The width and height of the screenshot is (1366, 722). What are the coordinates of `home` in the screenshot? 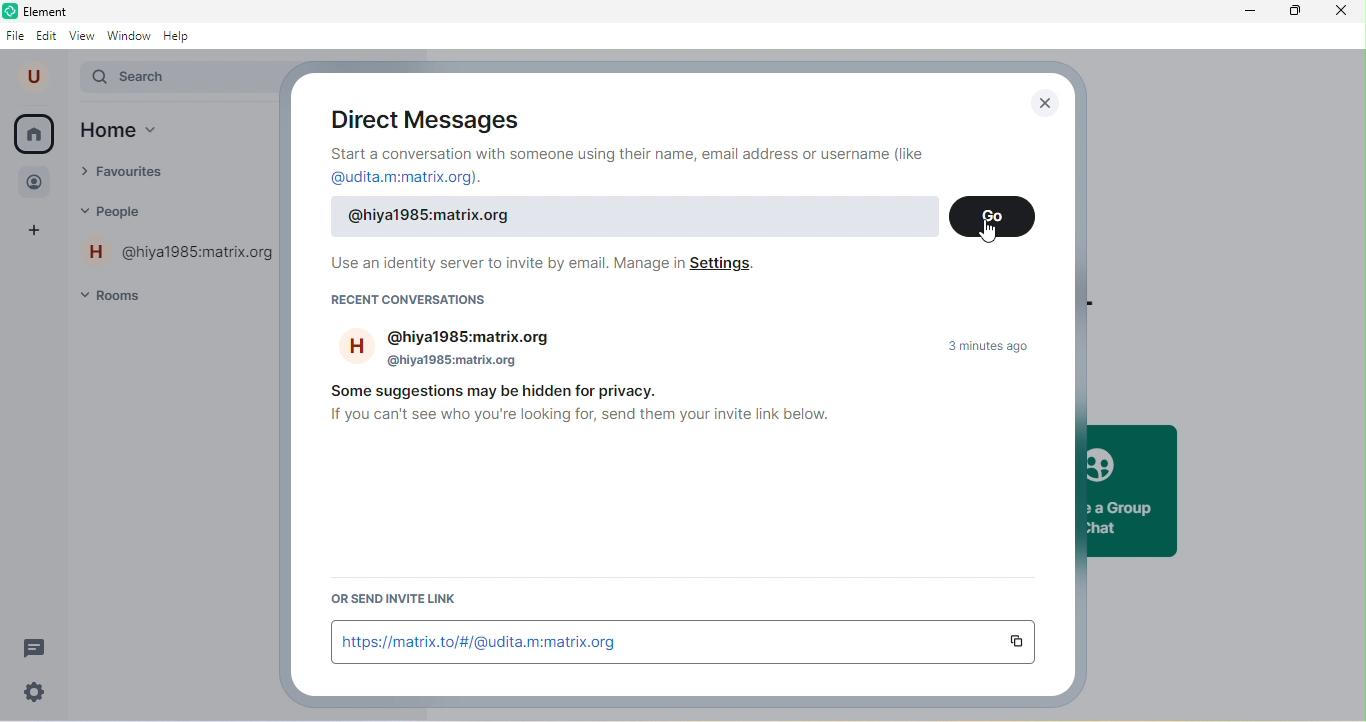 It's located at (142, 132).